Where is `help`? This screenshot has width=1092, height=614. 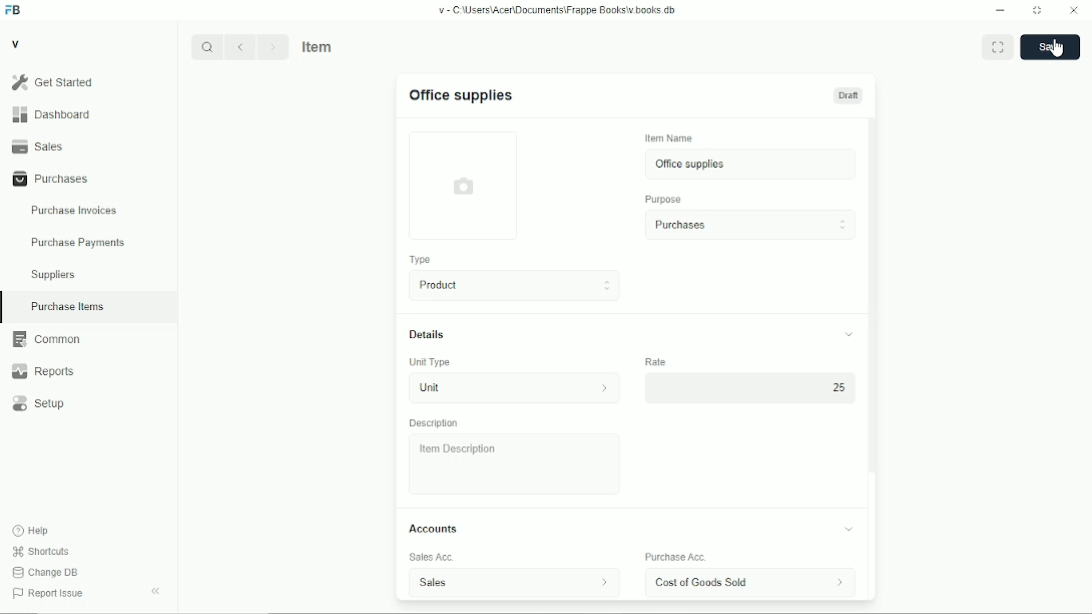 help is located at coordinates (32, 531).